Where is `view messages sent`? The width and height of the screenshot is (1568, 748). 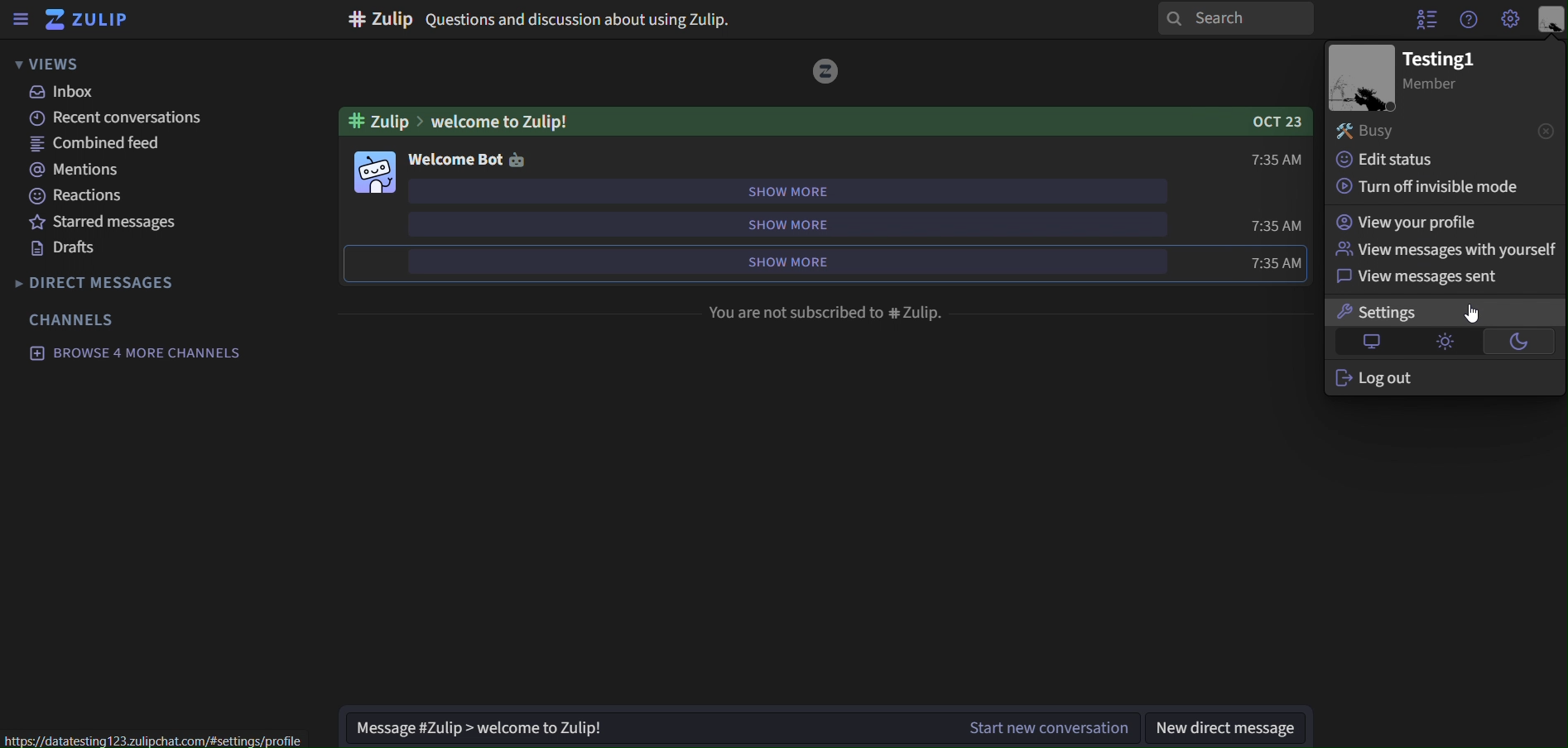
view messages sent is located at coordinates (1431, 276).